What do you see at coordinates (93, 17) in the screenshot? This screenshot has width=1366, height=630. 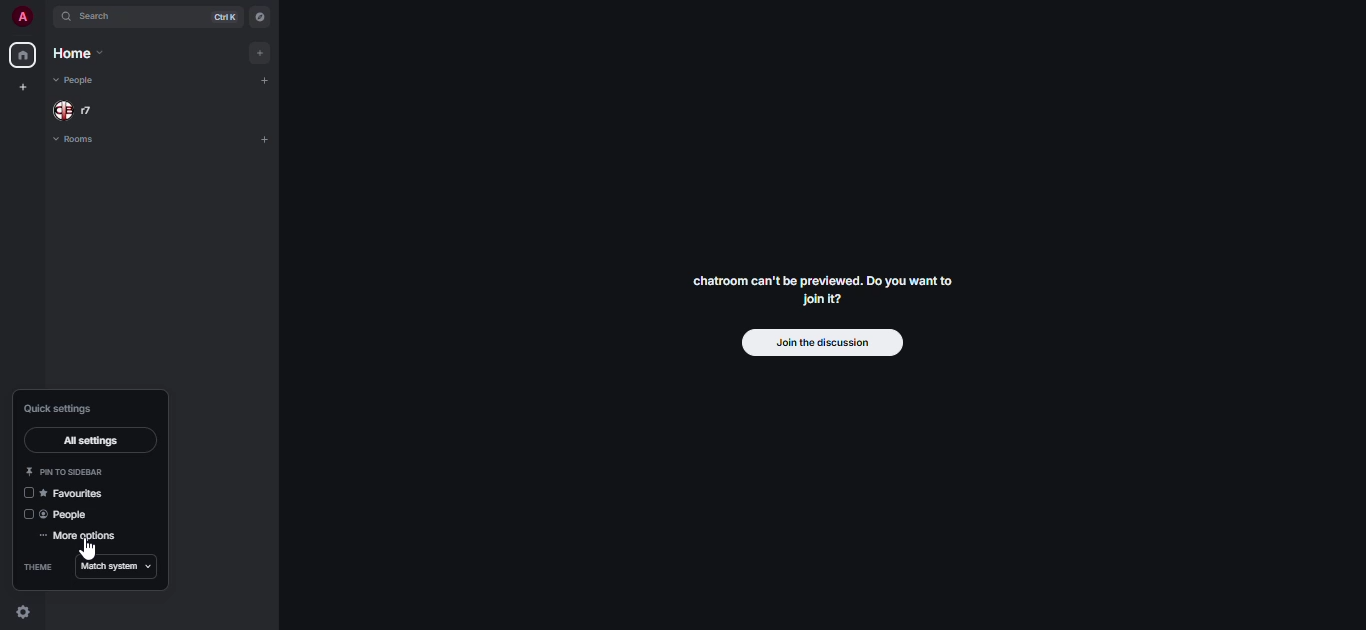 I see `search` at bounding box center [93, 17].